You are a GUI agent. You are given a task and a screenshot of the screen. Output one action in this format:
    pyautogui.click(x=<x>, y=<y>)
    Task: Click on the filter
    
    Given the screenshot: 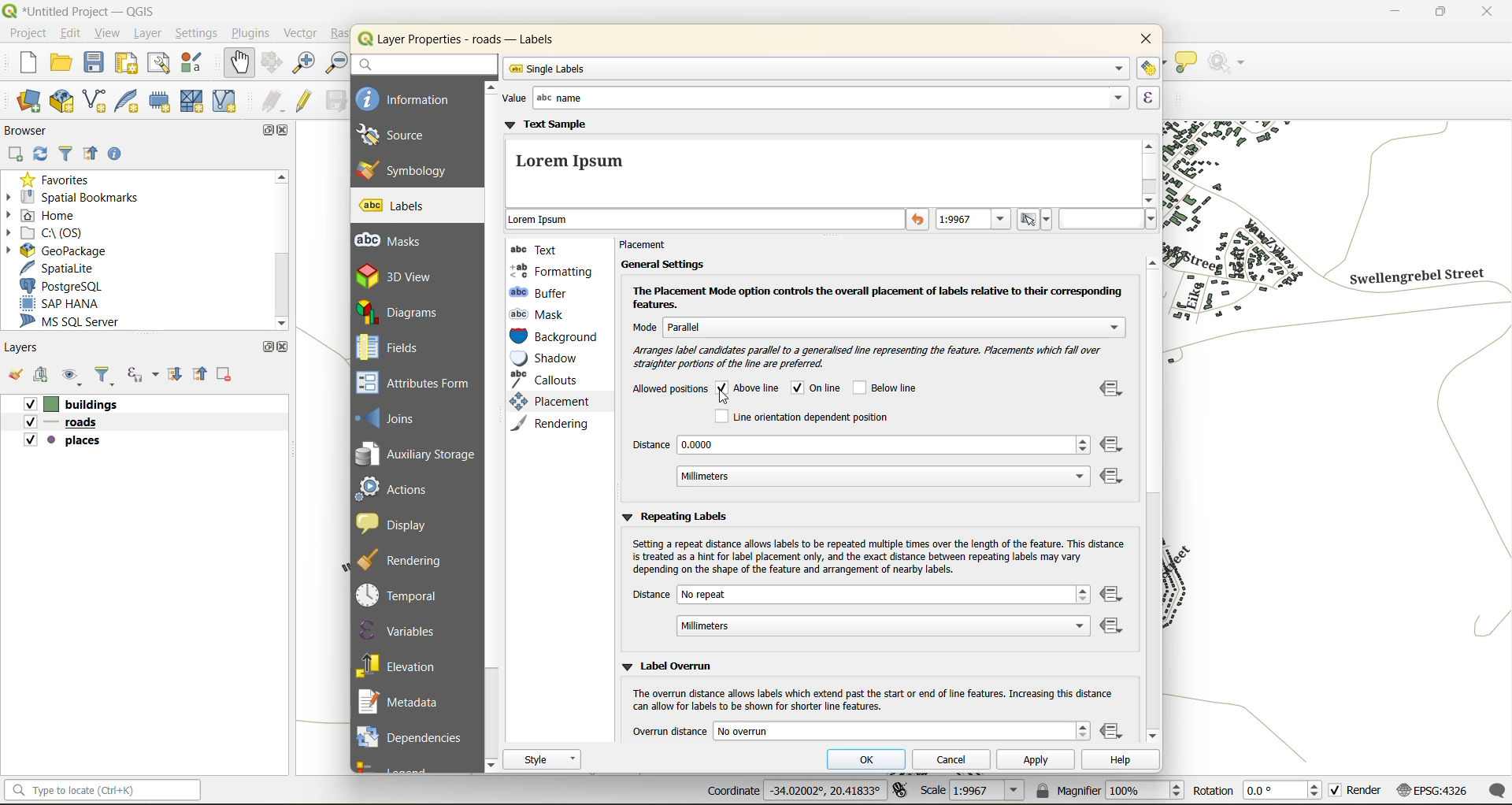 What is the action you would take?
    pyautogui.click(x=66, y=154)
    